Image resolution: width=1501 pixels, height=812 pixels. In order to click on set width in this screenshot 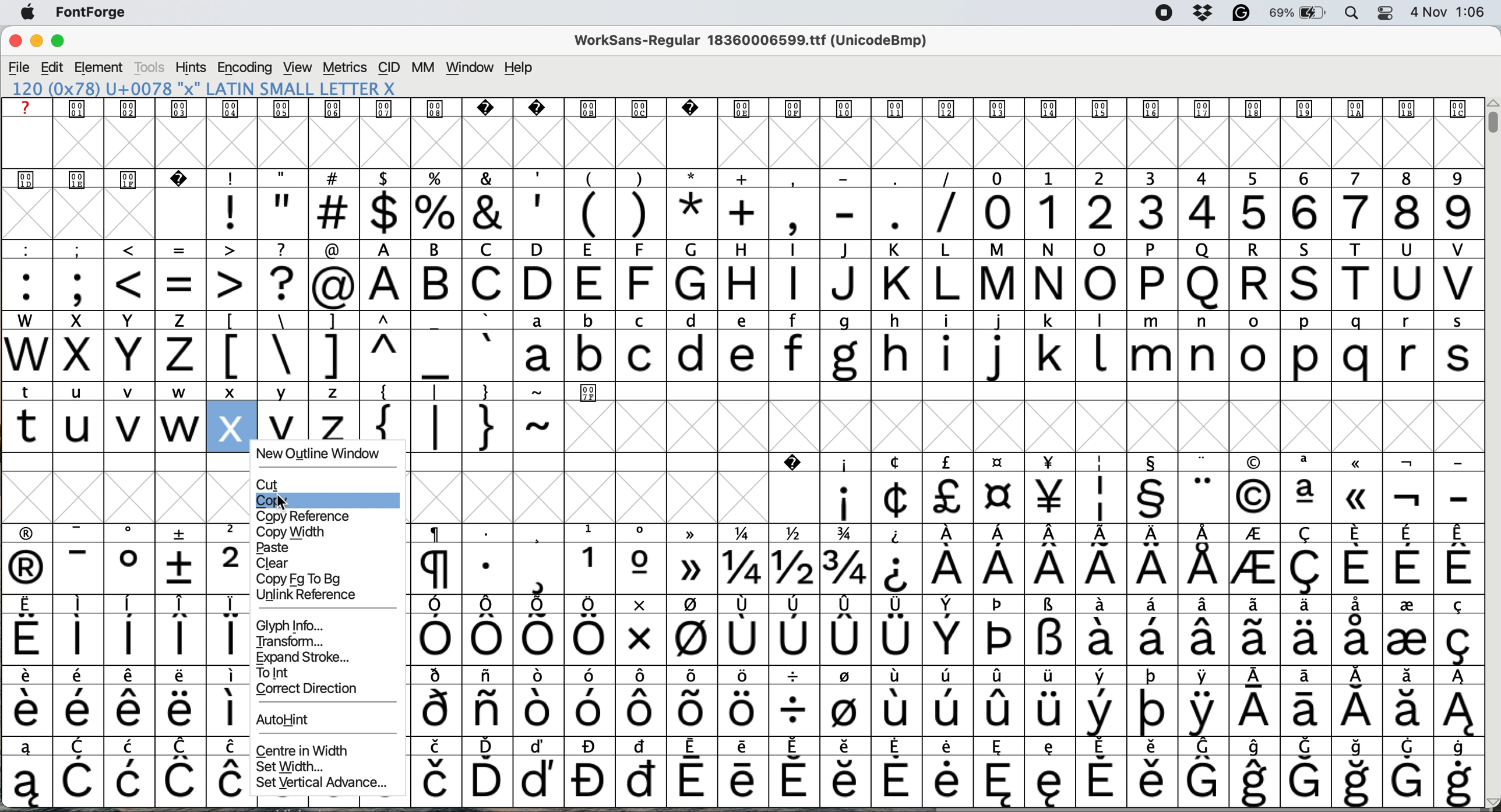, I will do `click(294, 765)`.